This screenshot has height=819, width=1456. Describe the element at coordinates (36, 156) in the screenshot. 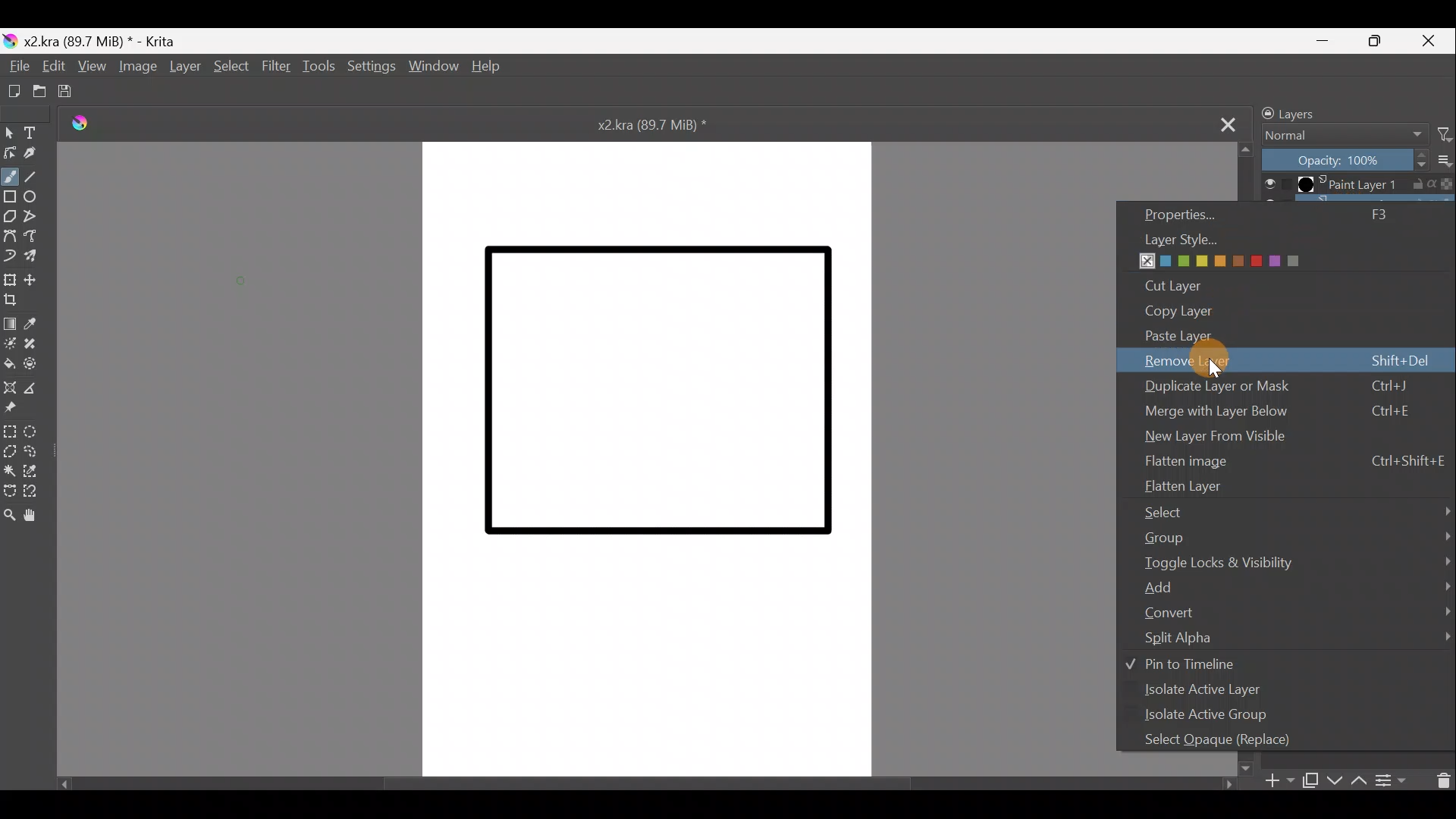

I see `Calligraphy` at that location.